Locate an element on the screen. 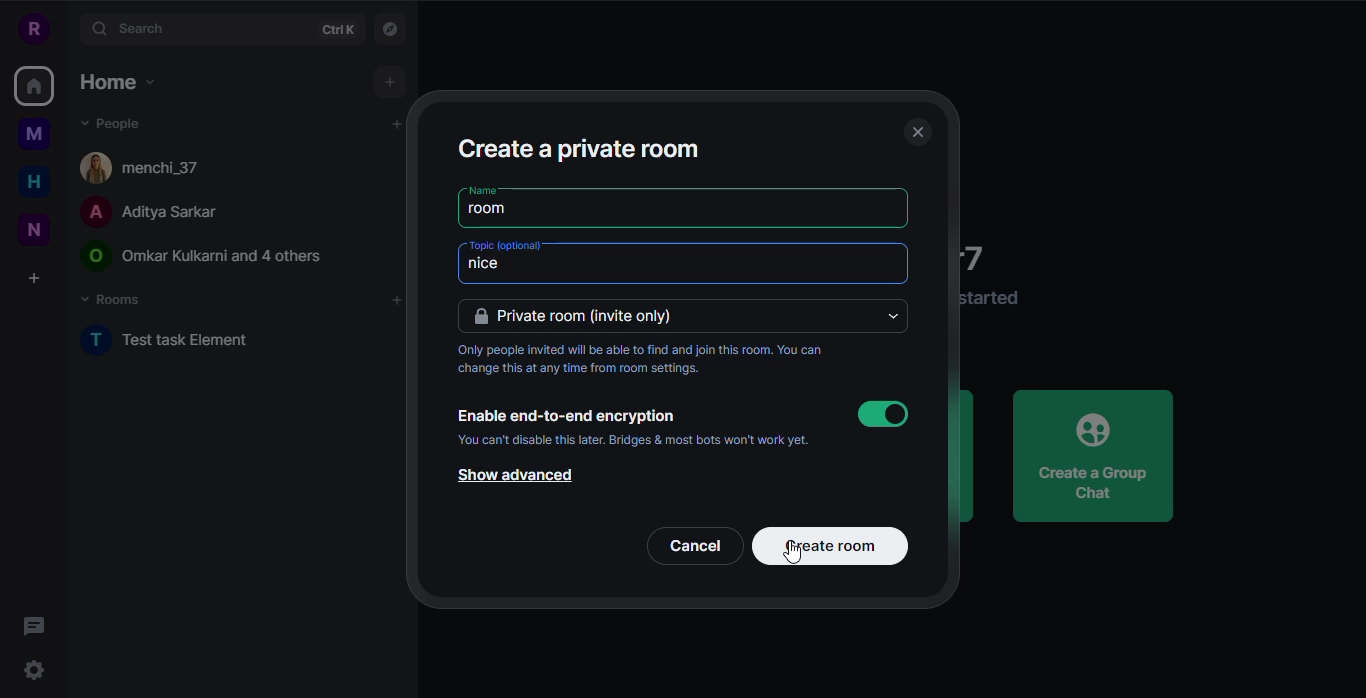  info is located at coordinates (652, 361).